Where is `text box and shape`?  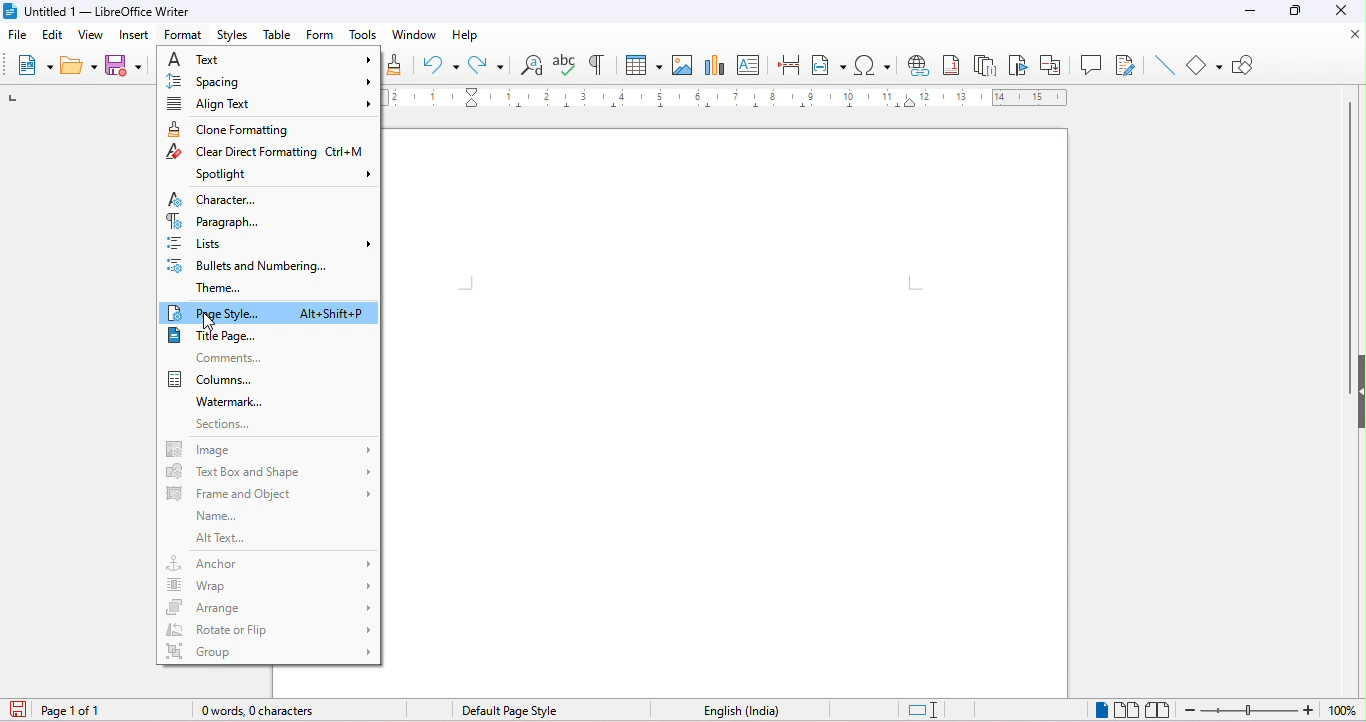
text box and shape is located at coordinates (272, 472).